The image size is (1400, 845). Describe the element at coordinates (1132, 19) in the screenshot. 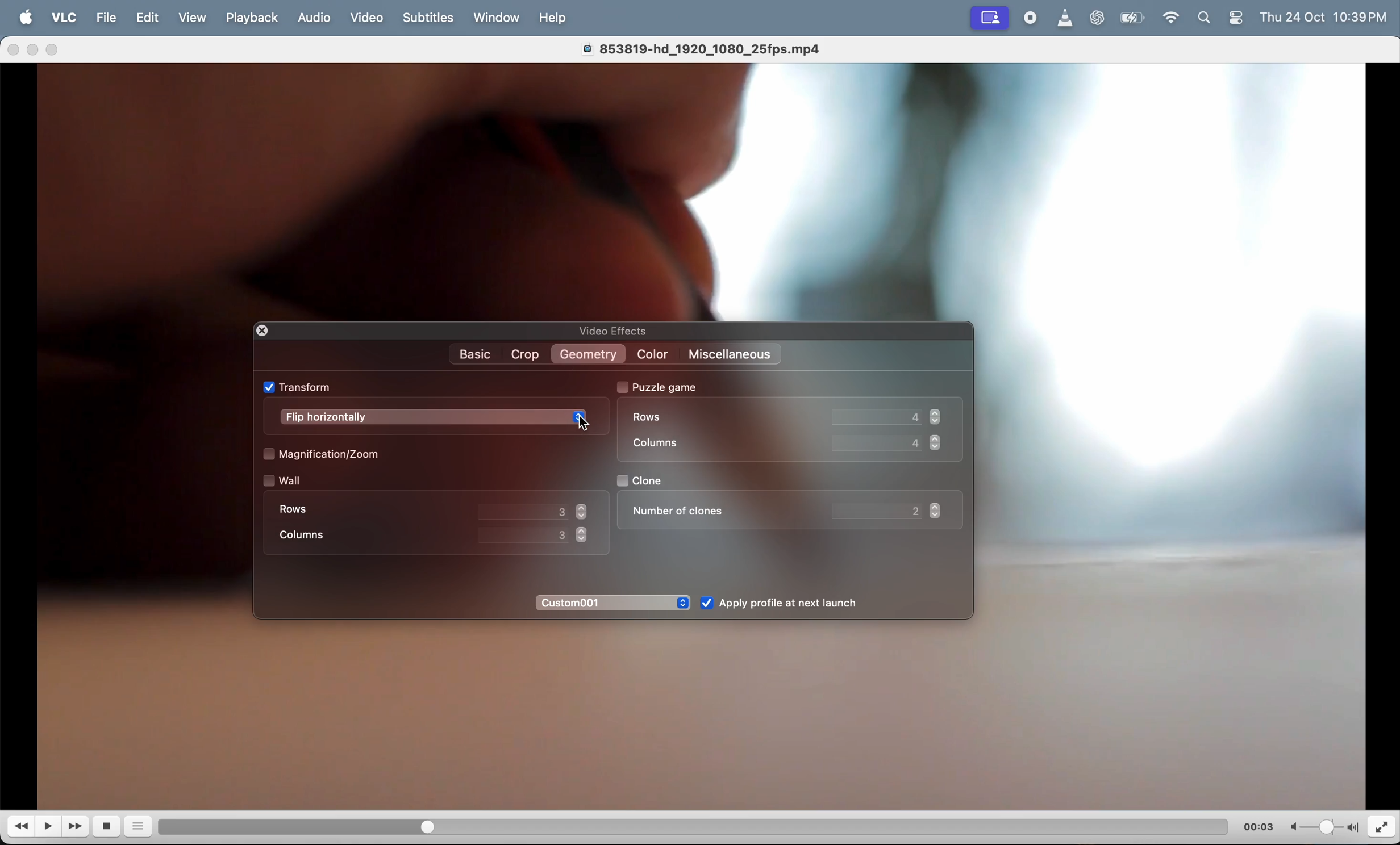

I see `battery` at that location.